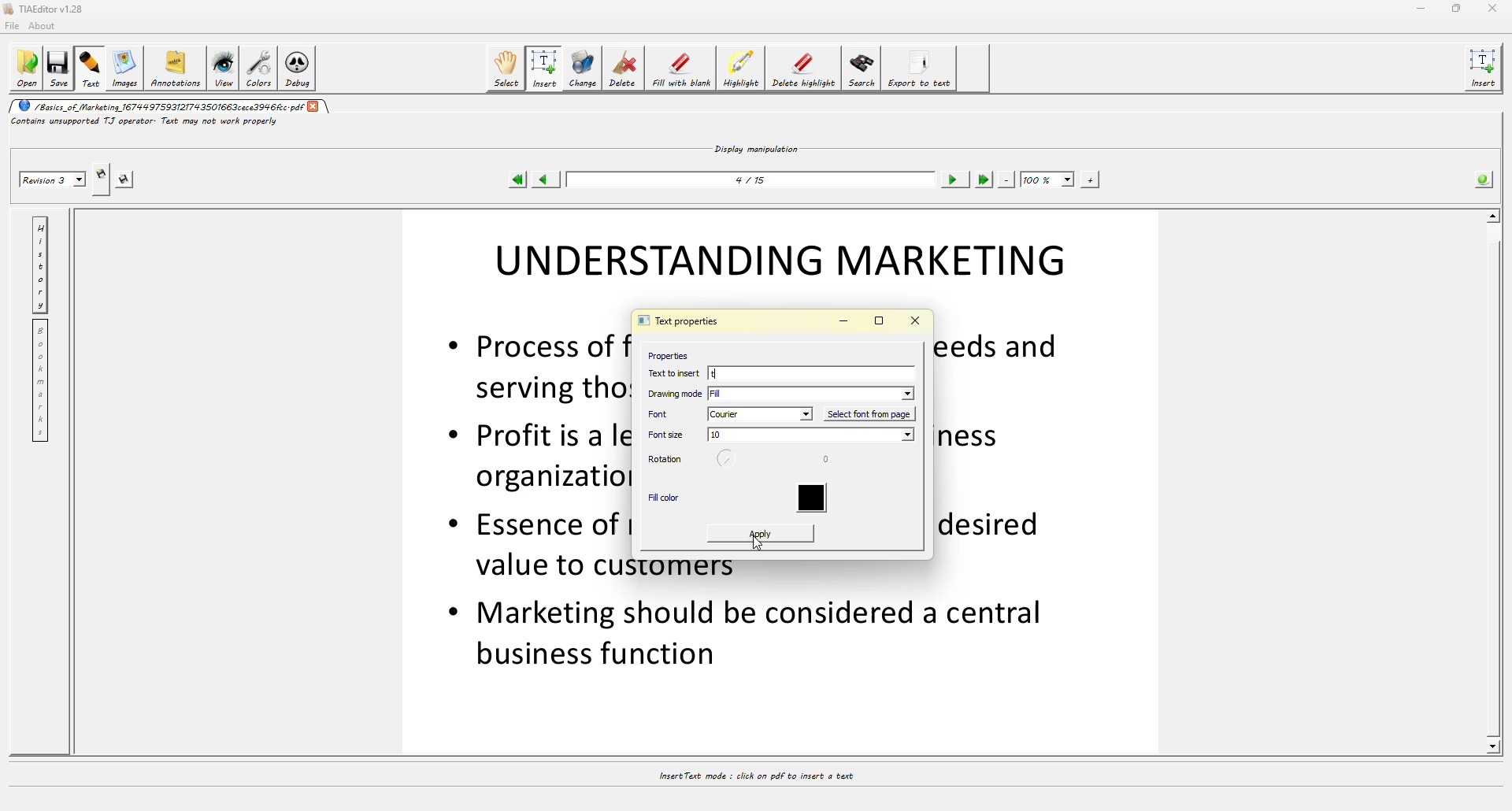  Describe the element at coordinates (1484, 178) in the screenshot. I see `info about pdf` at that location.